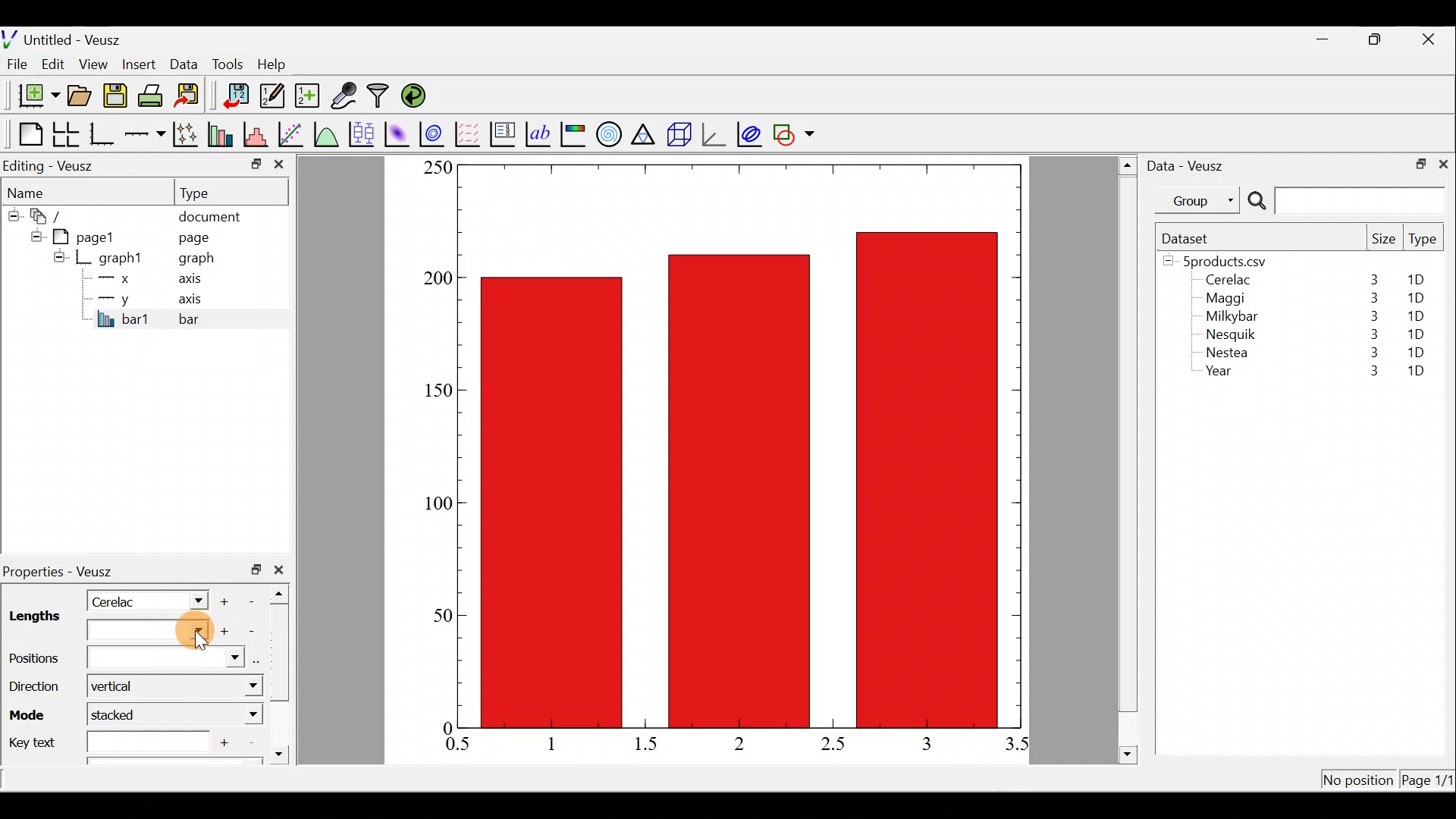 Image resolution: width=1456 pixels, height=819 pixels. Describe the element at coordinates (736, 742) in the screenshot. I see `2` at that location.